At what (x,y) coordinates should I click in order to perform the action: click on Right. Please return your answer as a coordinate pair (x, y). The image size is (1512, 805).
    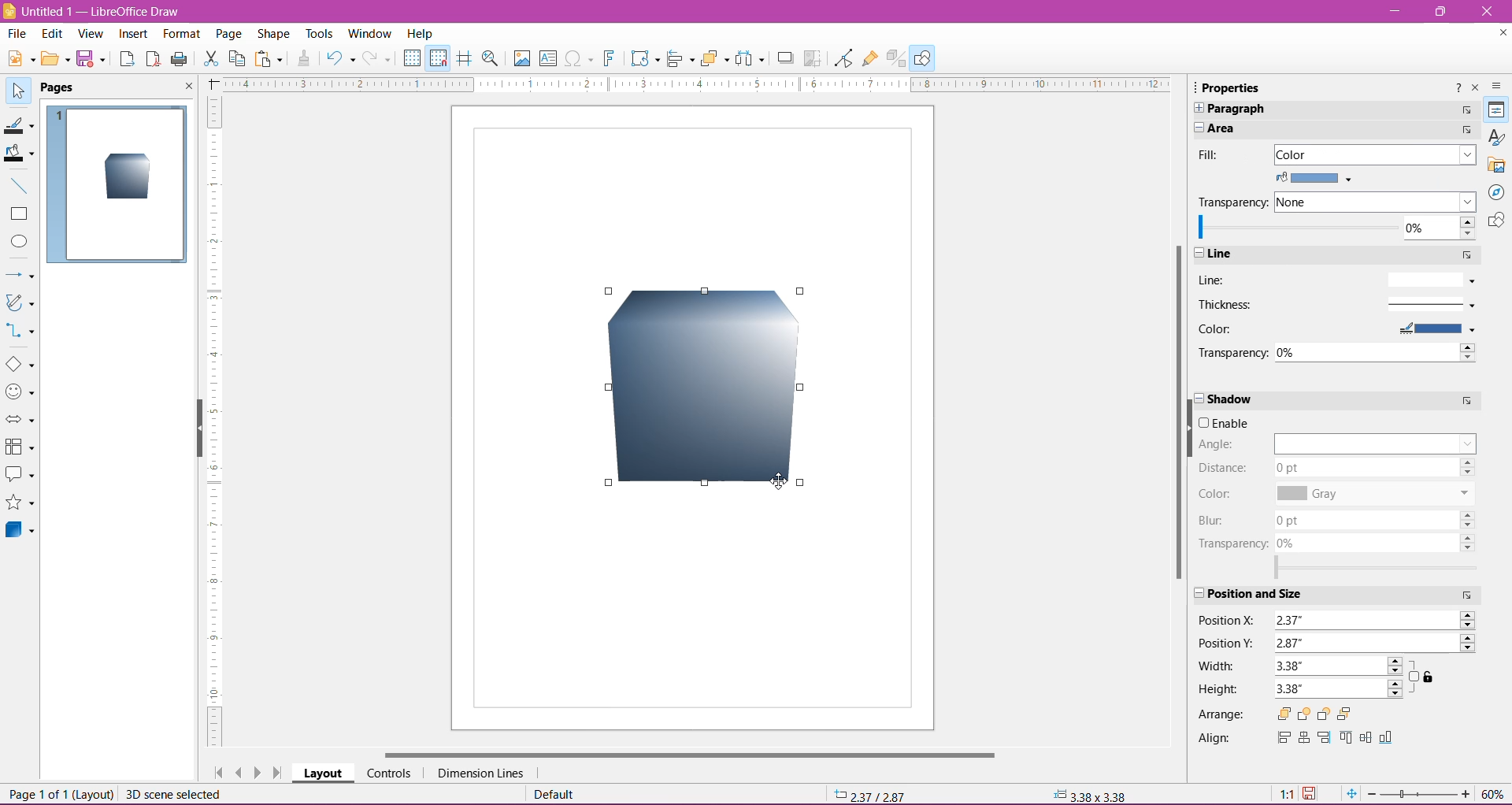
    Looking at the image, I should click on (1324, 739).